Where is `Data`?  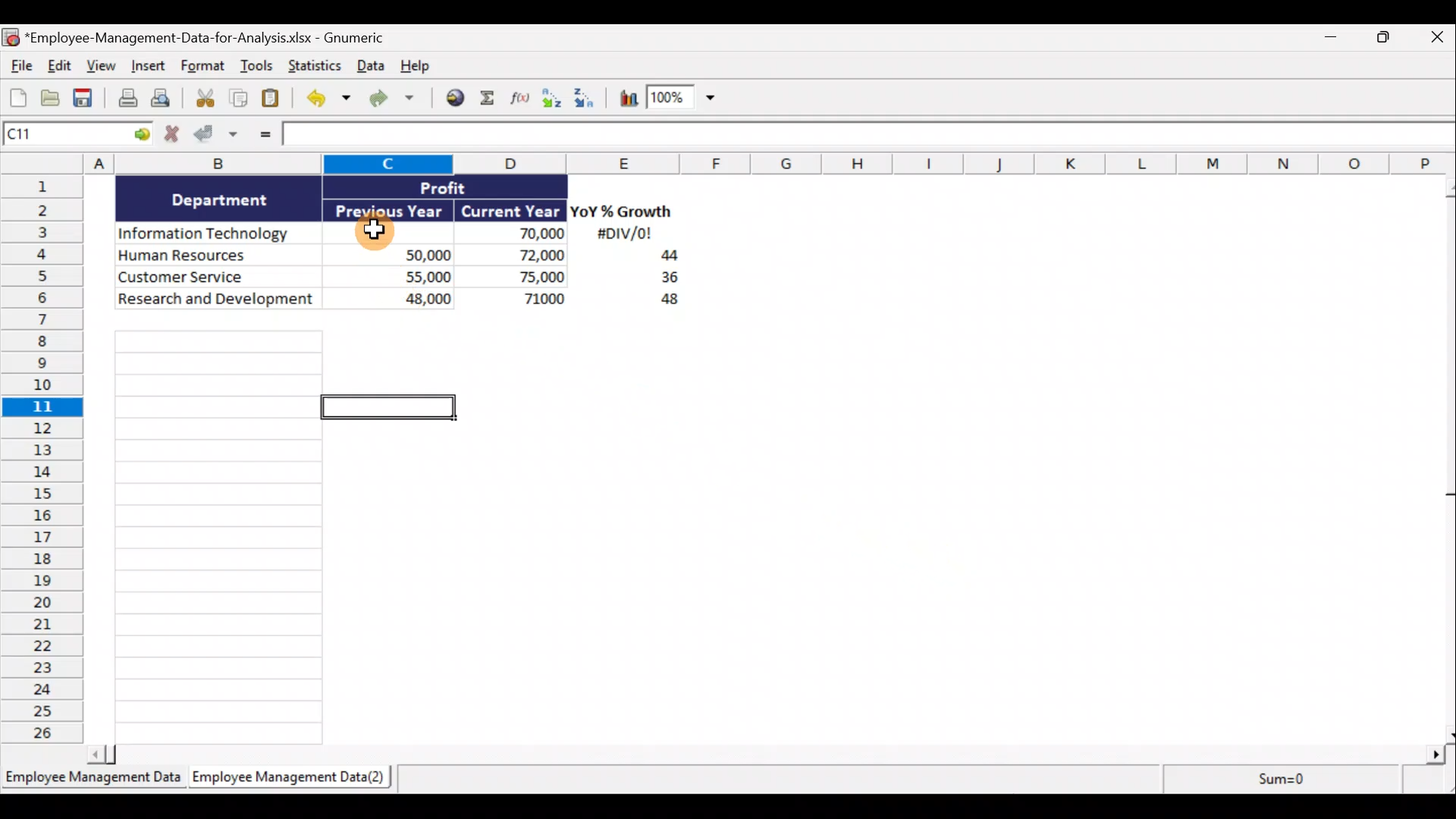 Data is located at coordinates (369, 65).